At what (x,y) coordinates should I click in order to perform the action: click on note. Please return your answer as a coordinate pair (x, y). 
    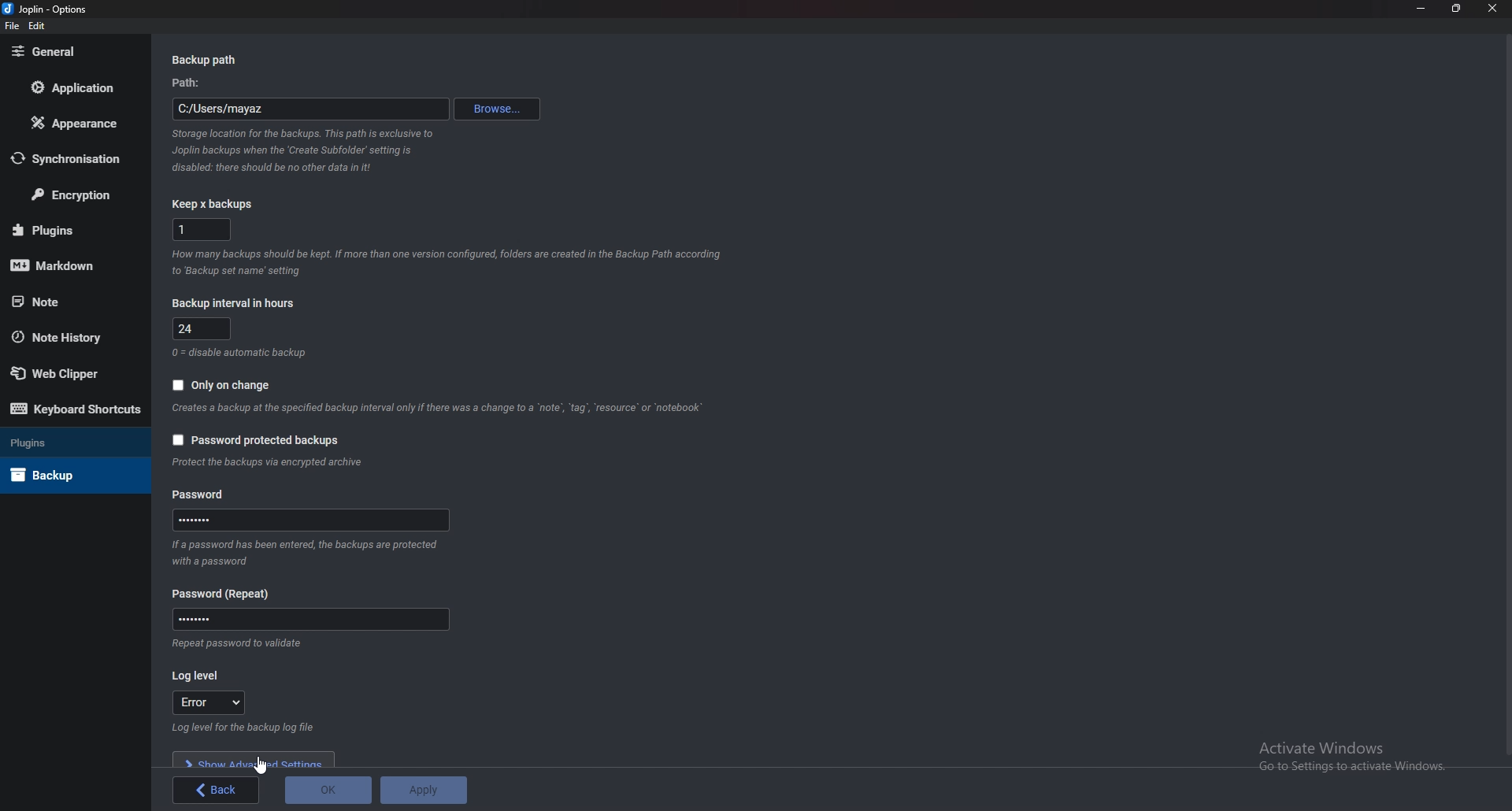
    Looking at the image, I should click on (69, 302).